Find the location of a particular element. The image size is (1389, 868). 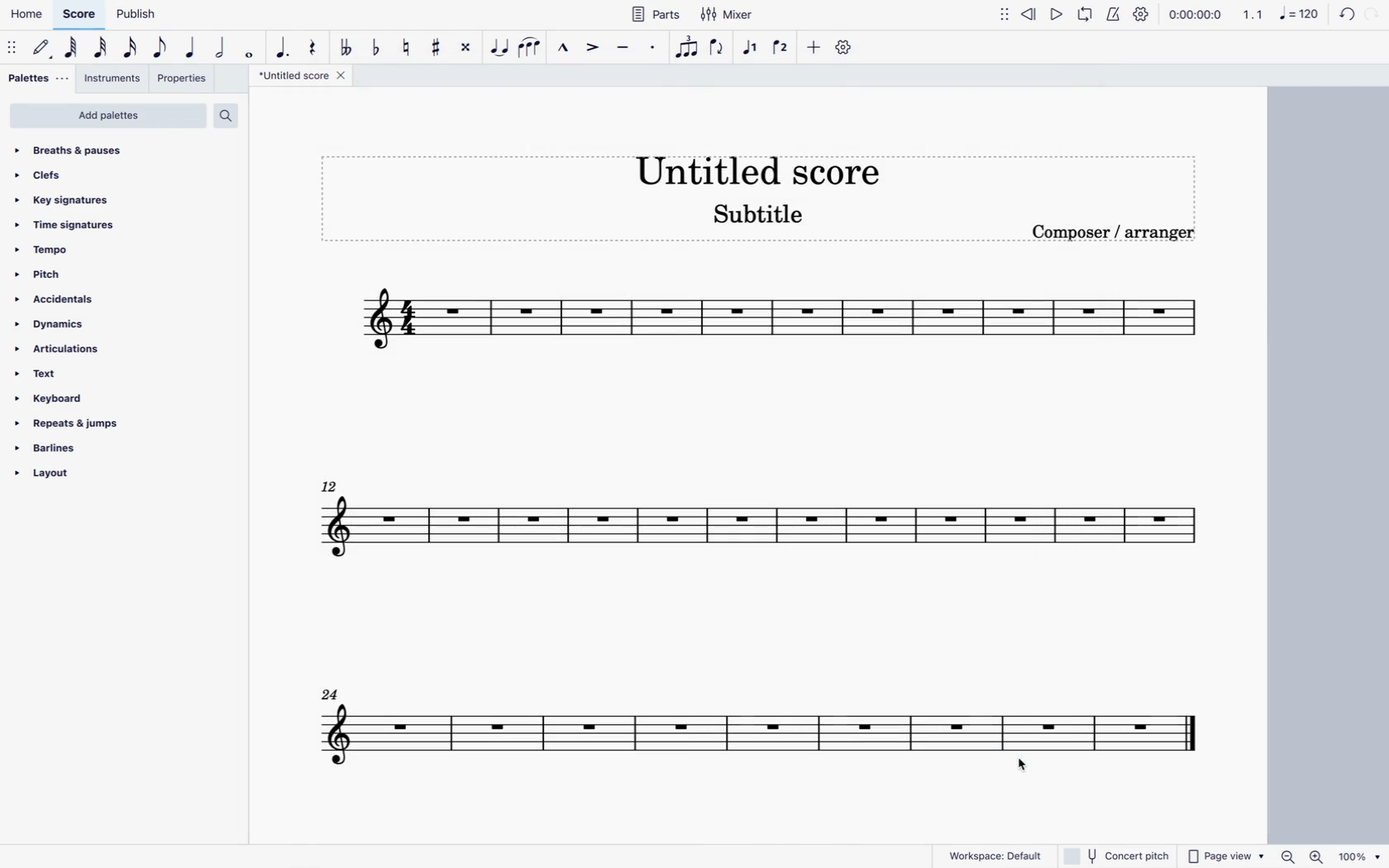

tenuto is located at coordinates (623, 50).